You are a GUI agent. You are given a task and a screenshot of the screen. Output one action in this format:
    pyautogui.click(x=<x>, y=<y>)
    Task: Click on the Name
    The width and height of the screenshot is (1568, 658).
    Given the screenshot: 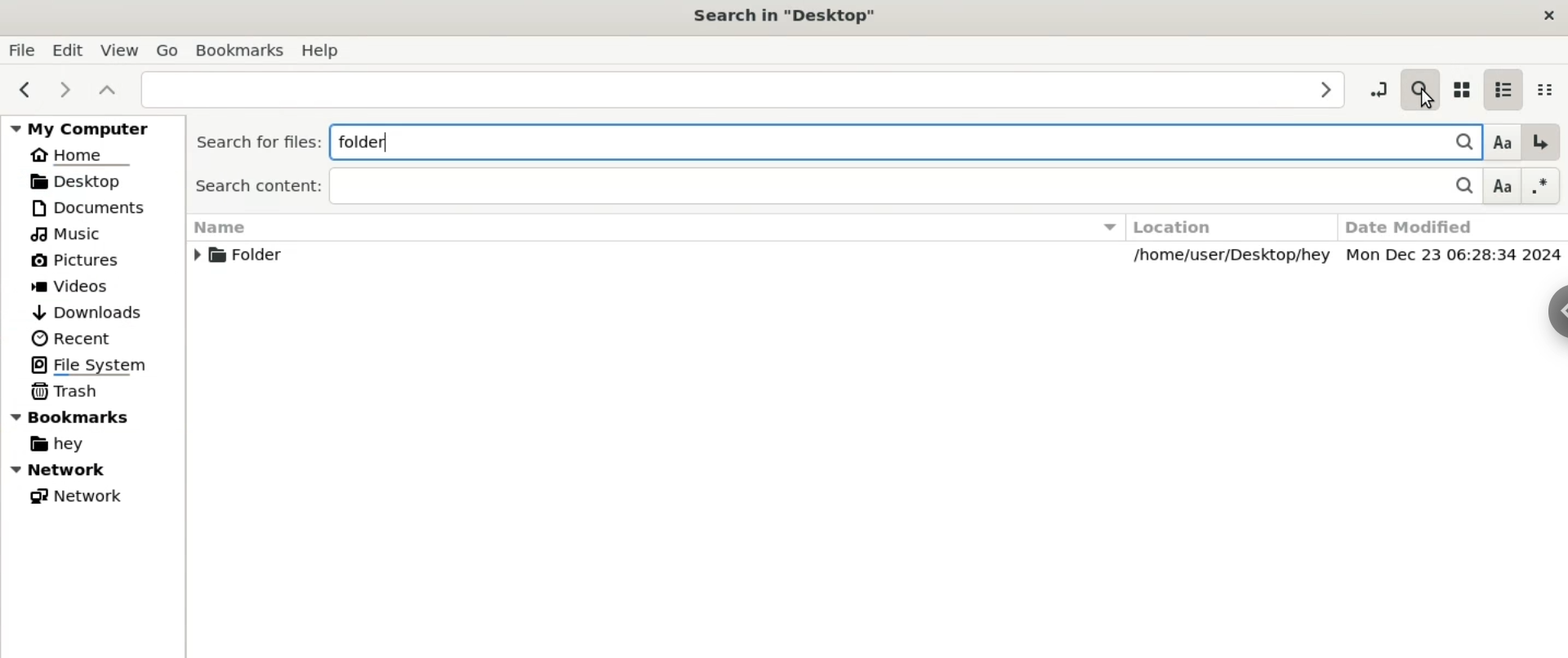 What is the action you would take?
    pyautogui.click(x=653, y=228)
    